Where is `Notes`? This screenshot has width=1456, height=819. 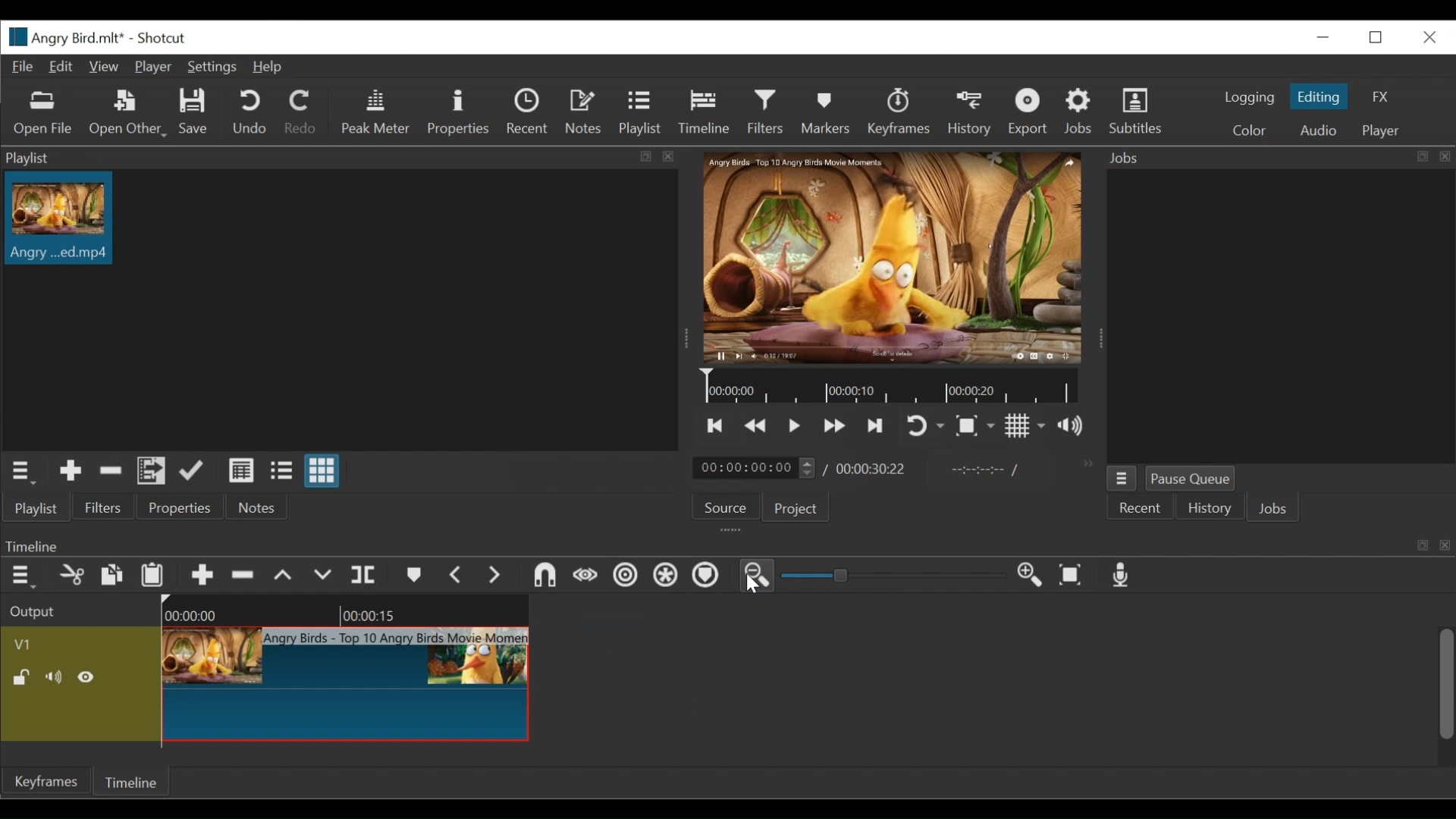 Notes is located at coordinates (584, 110).